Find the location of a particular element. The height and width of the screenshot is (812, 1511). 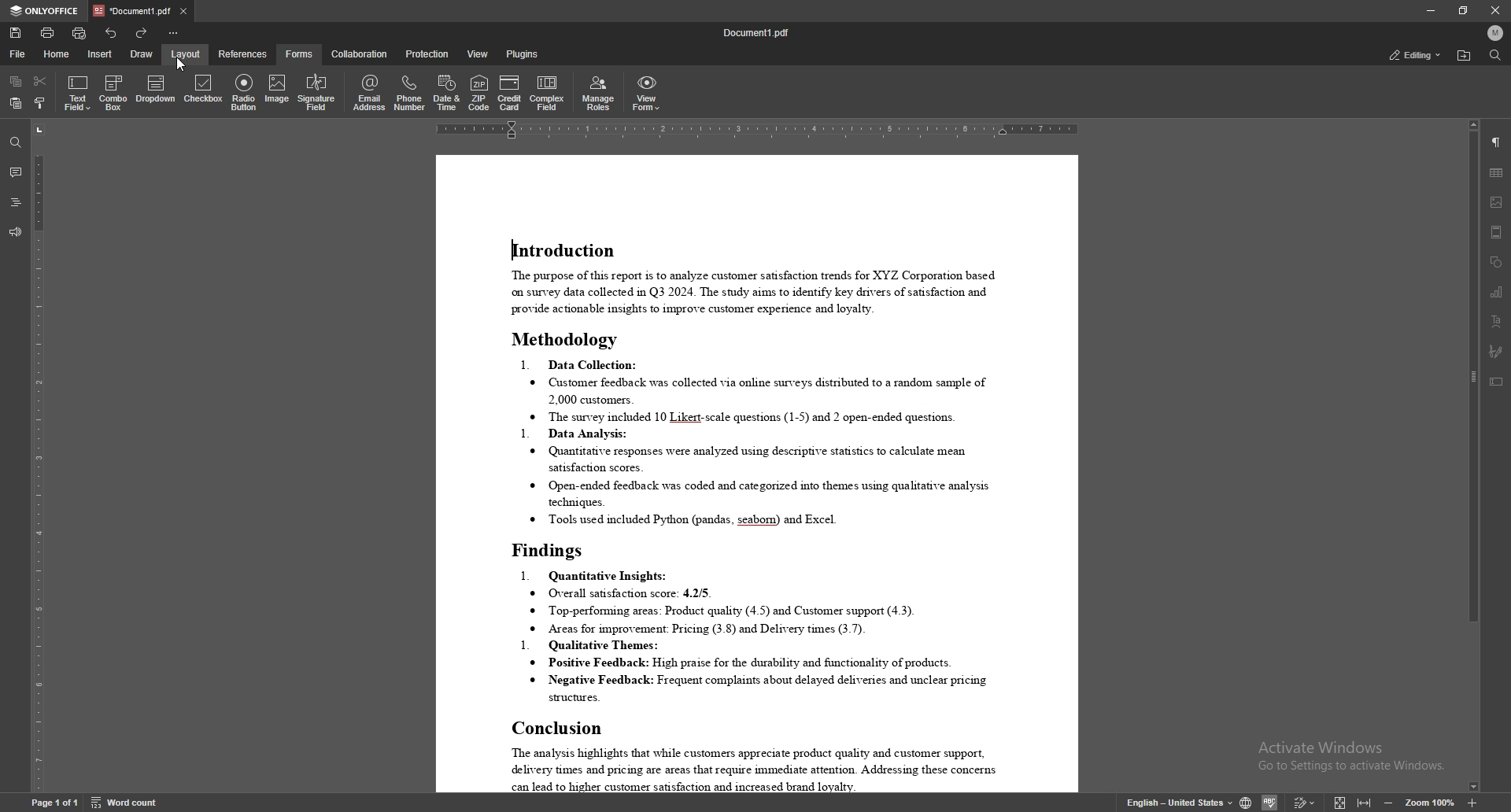

zip code is located at coordinates (481, 91).